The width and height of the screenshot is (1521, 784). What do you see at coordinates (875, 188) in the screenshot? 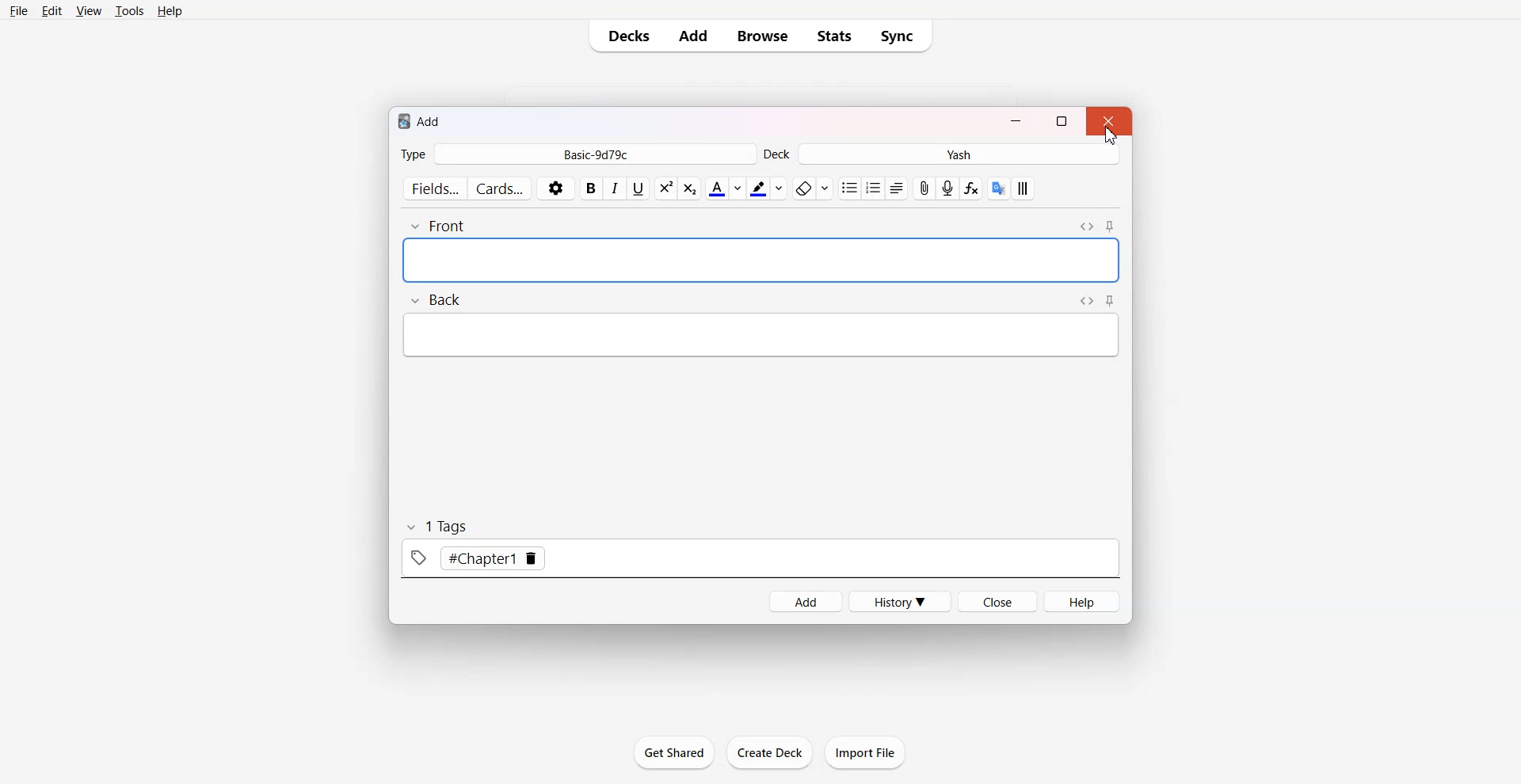
I see `Order list` at bounding box center [875, 188].